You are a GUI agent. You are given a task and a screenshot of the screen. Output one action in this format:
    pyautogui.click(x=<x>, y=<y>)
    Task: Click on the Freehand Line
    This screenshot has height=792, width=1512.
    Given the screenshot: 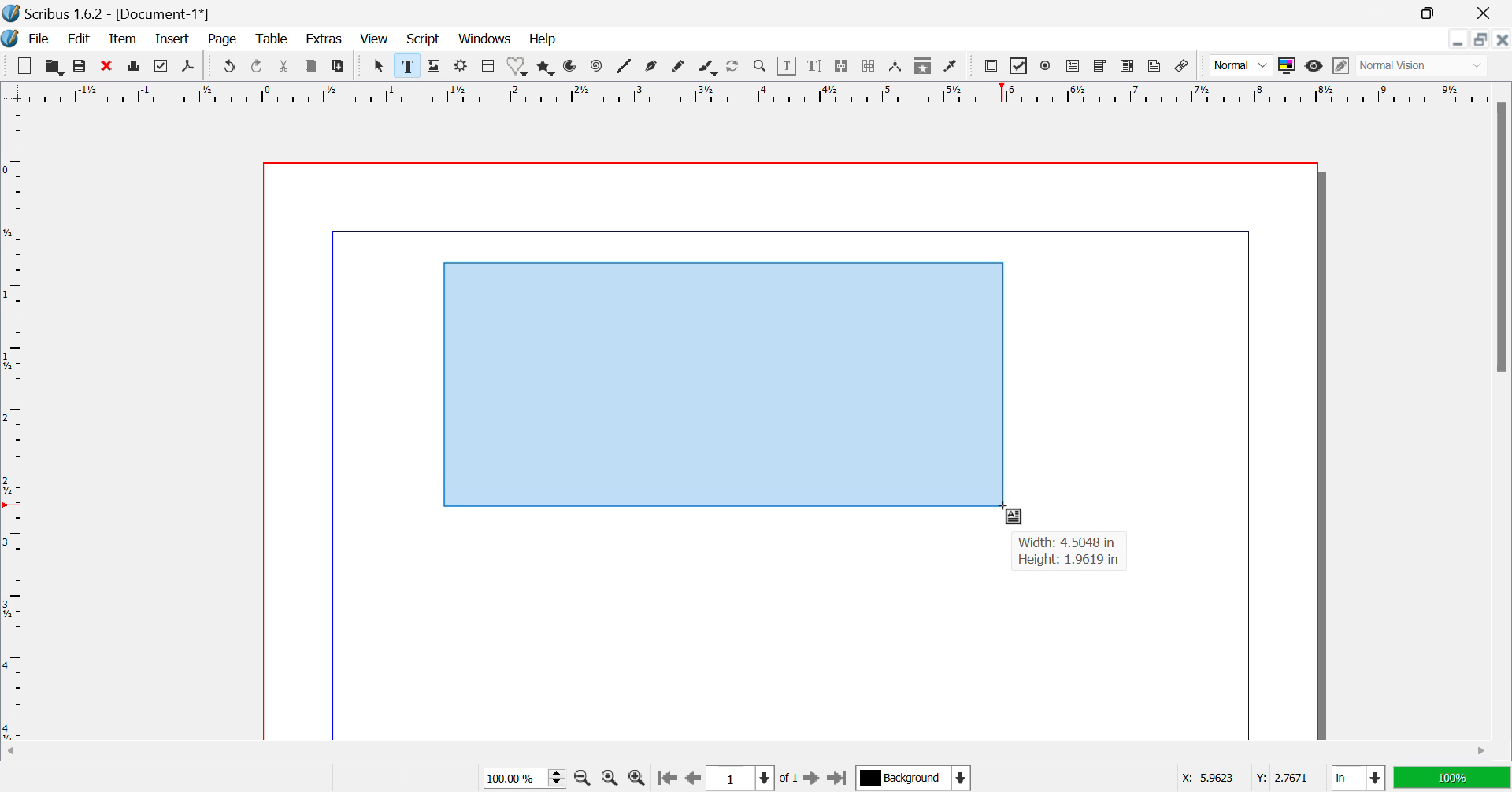 What is the action you would take?
    pyautogui.click(x=679, y=69)
    